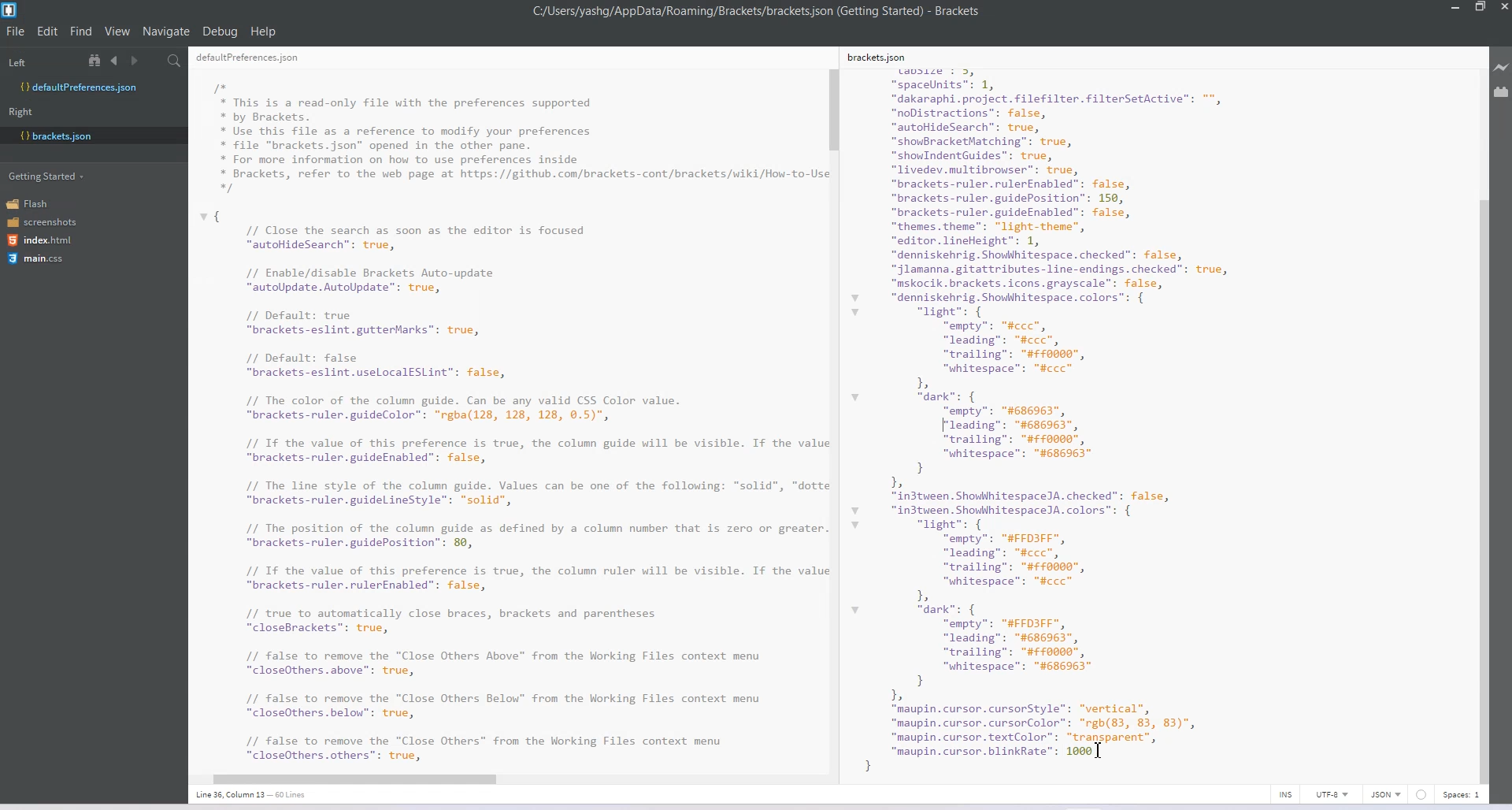  What do you see at coordinates (118, 31) in the screenshot?
I see `View` at bounding box center [118, 31].